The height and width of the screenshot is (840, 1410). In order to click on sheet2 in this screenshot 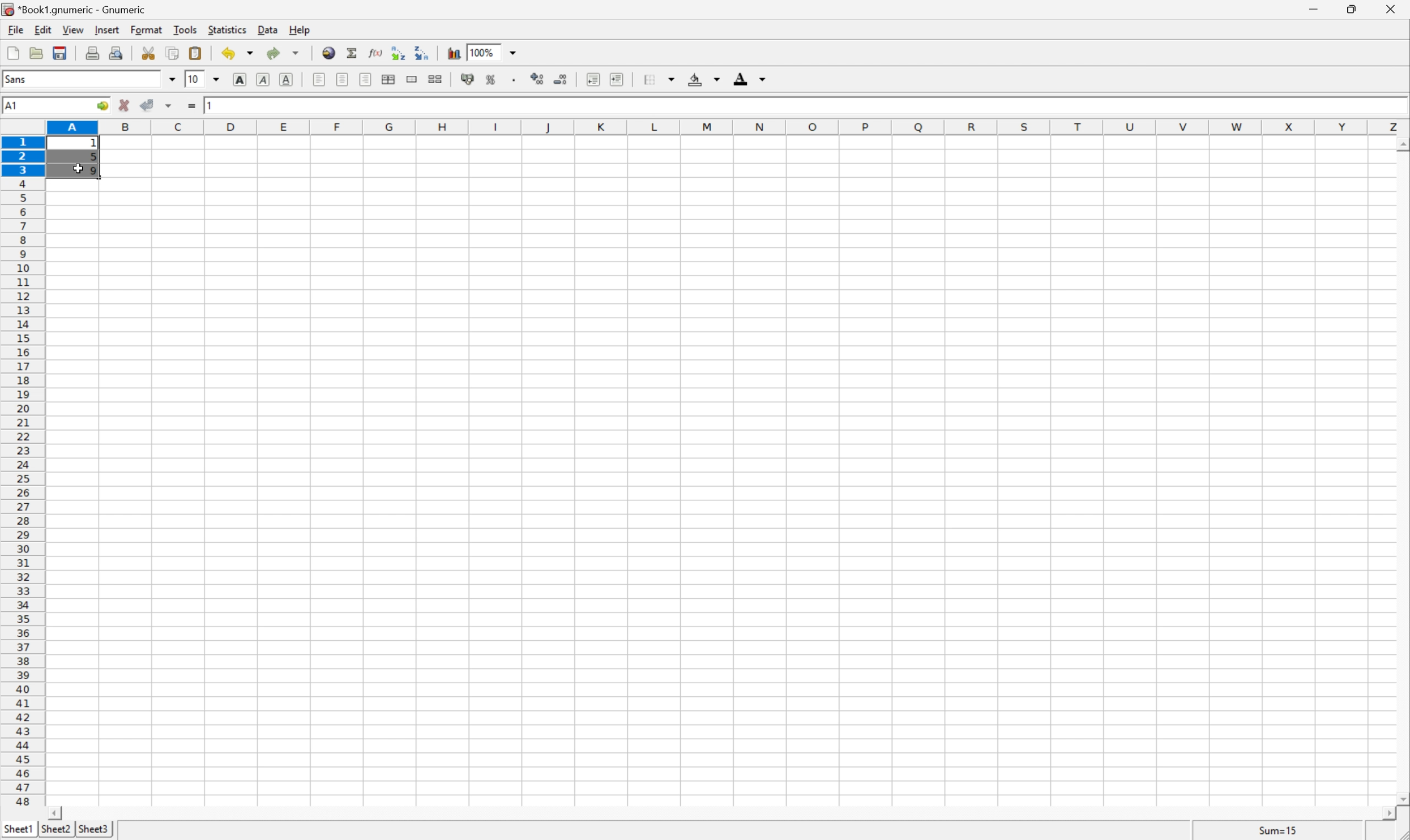, I will do `click(55, 832)`.